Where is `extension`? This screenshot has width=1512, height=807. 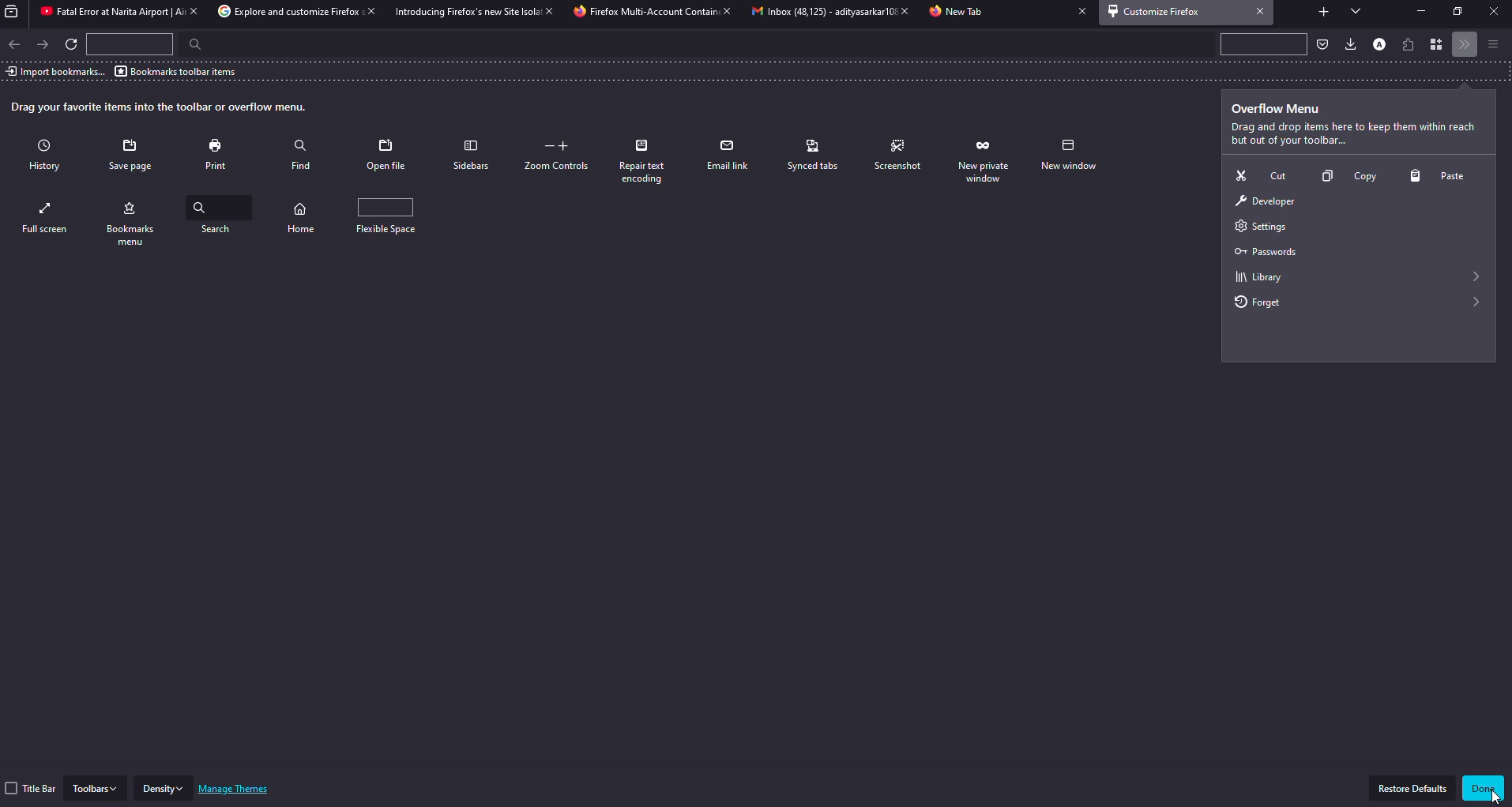
extension is located at coordinates (1410, 43).